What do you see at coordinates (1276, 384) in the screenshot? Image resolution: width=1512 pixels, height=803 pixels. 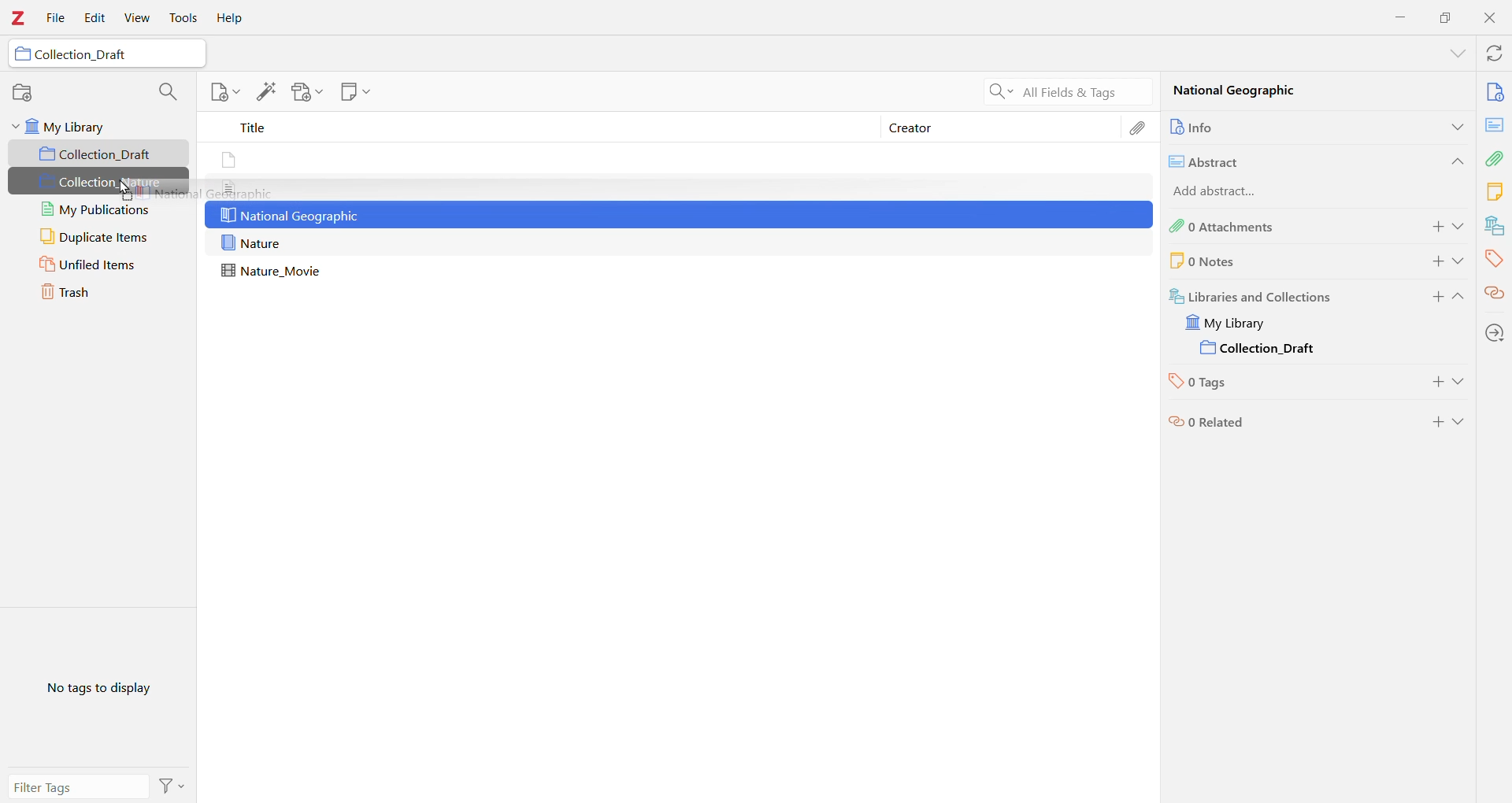 I see `0 Tags` at bounding box center [1276, 384].